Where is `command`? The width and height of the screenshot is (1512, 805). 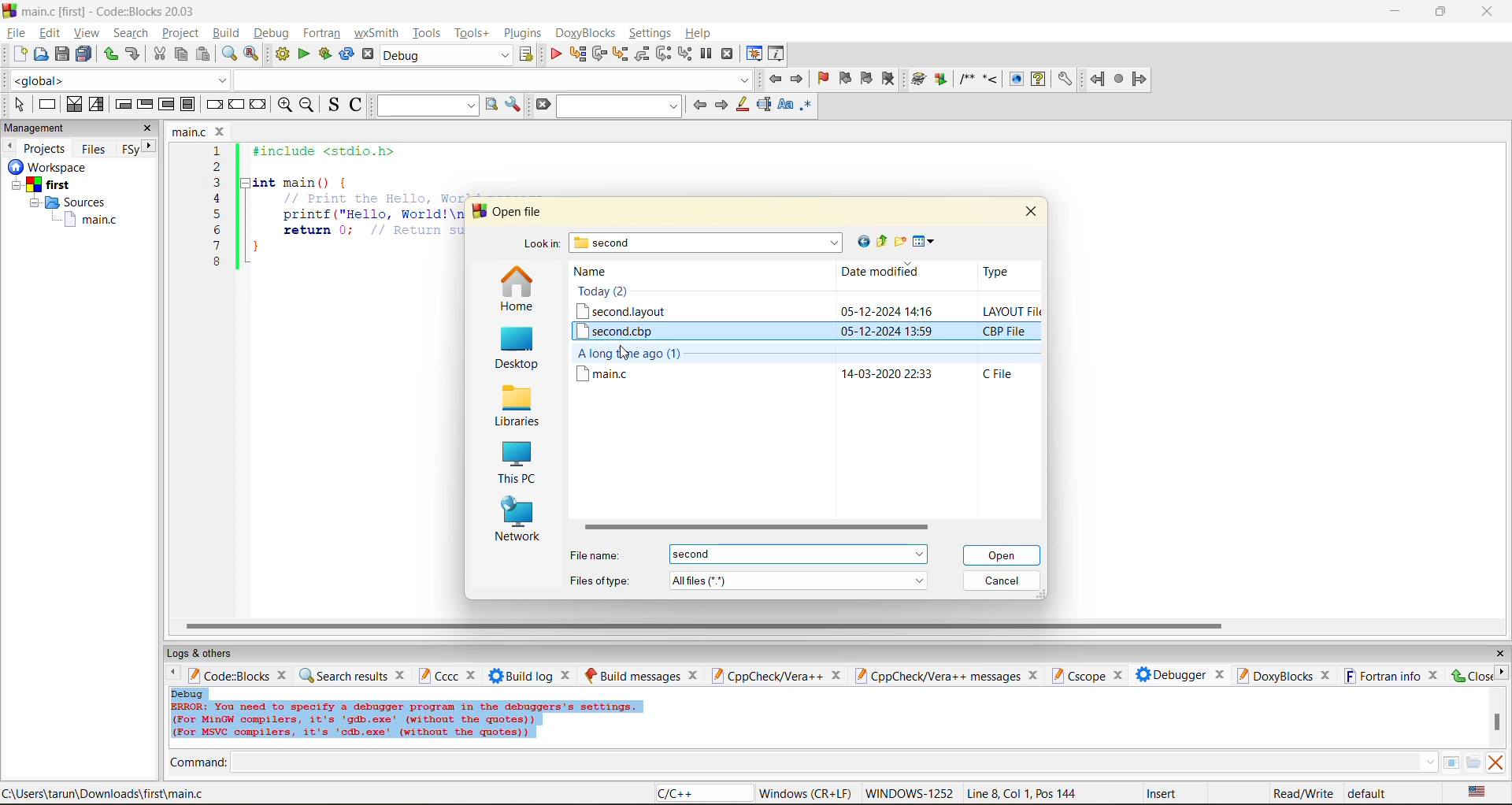
command is located at coordinates (198, 764).